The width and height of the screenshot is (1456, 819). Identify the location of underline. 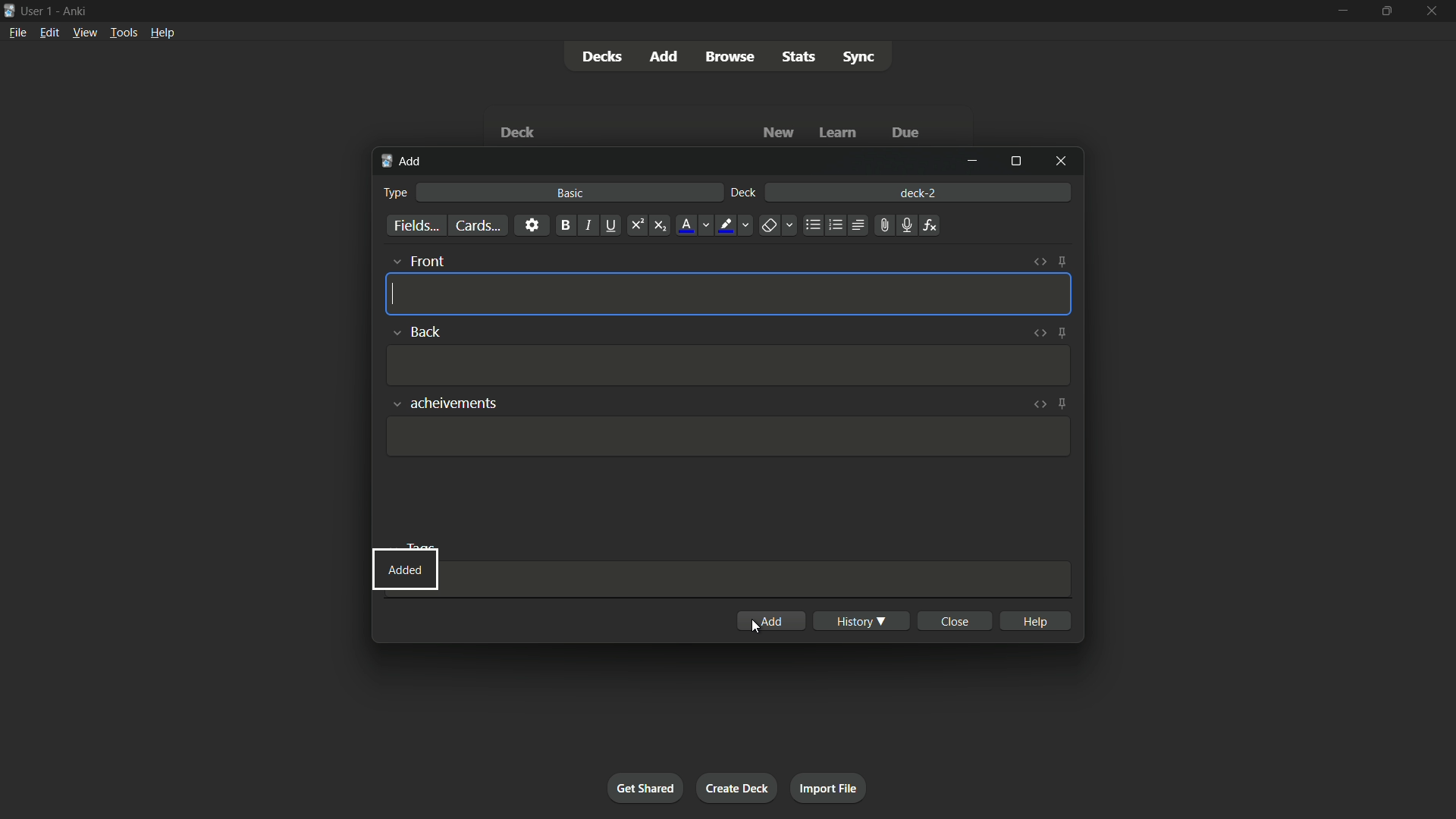
(611, 225).